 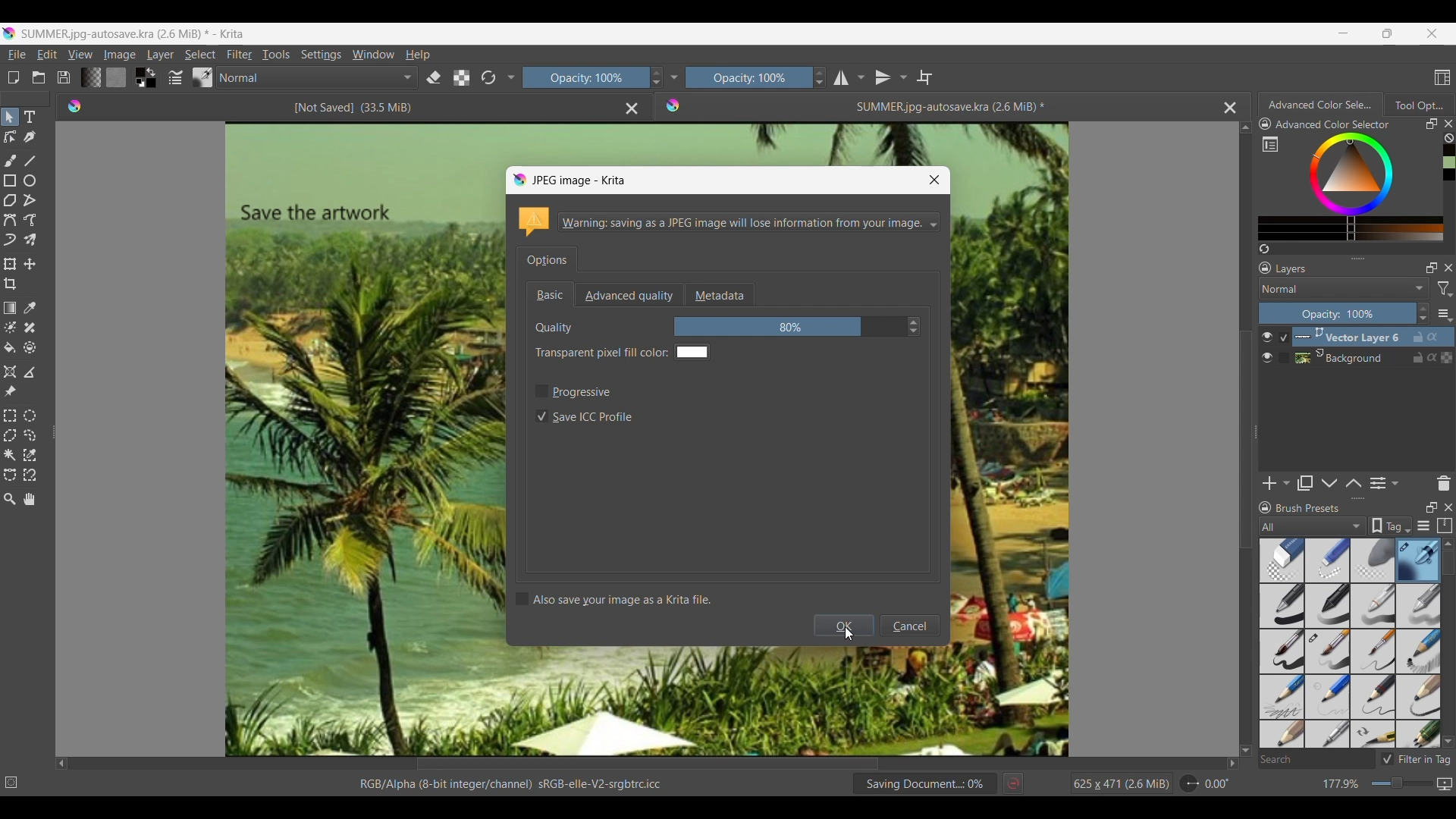 I want to click on Quick slide to left, so click(x=62, y=764).